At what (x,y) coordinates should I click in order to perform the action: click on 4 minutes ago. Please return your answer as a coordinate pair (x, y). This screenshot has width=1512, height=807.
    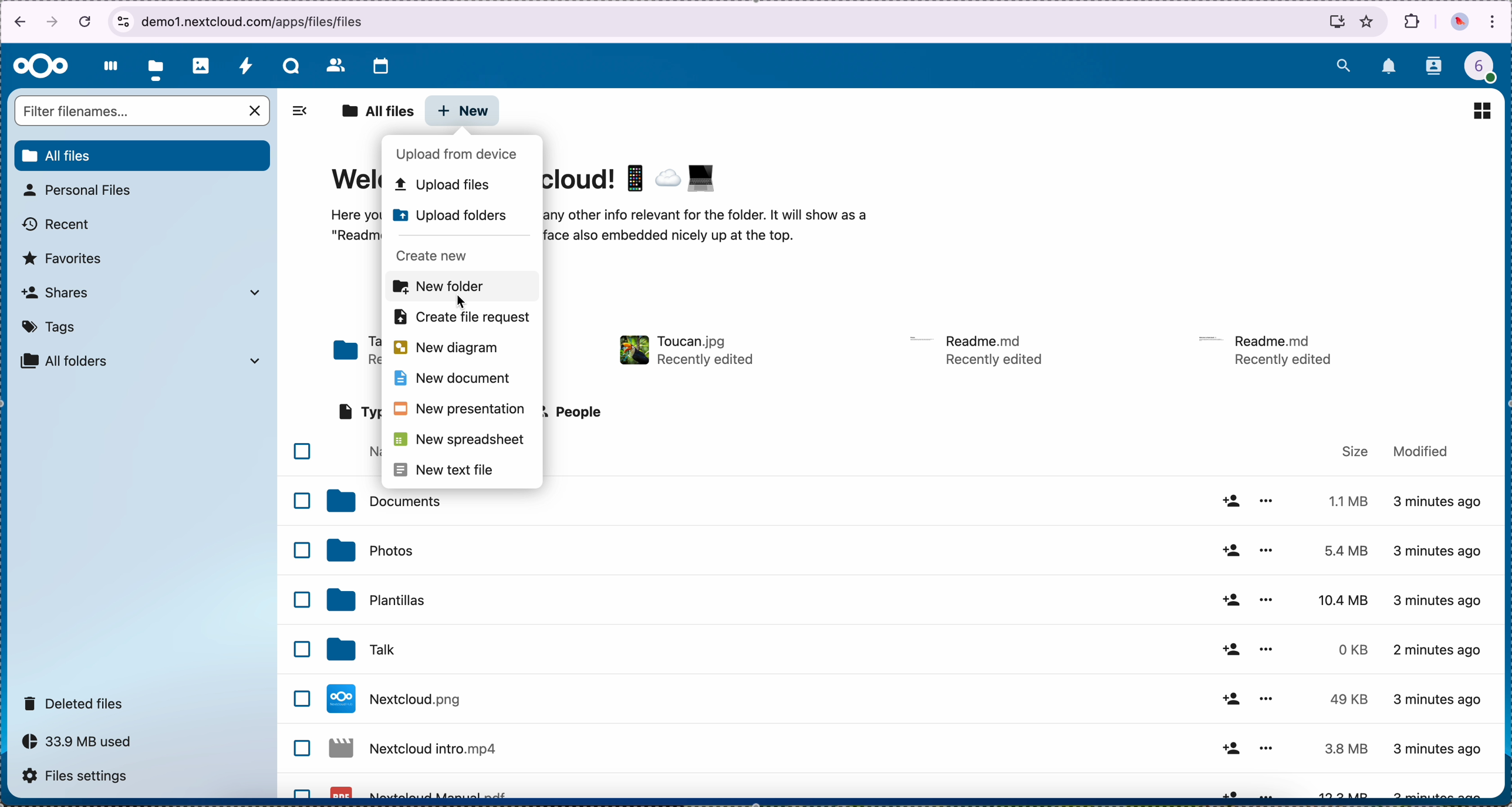
    Looking at the image, I should click on (1439, 748).